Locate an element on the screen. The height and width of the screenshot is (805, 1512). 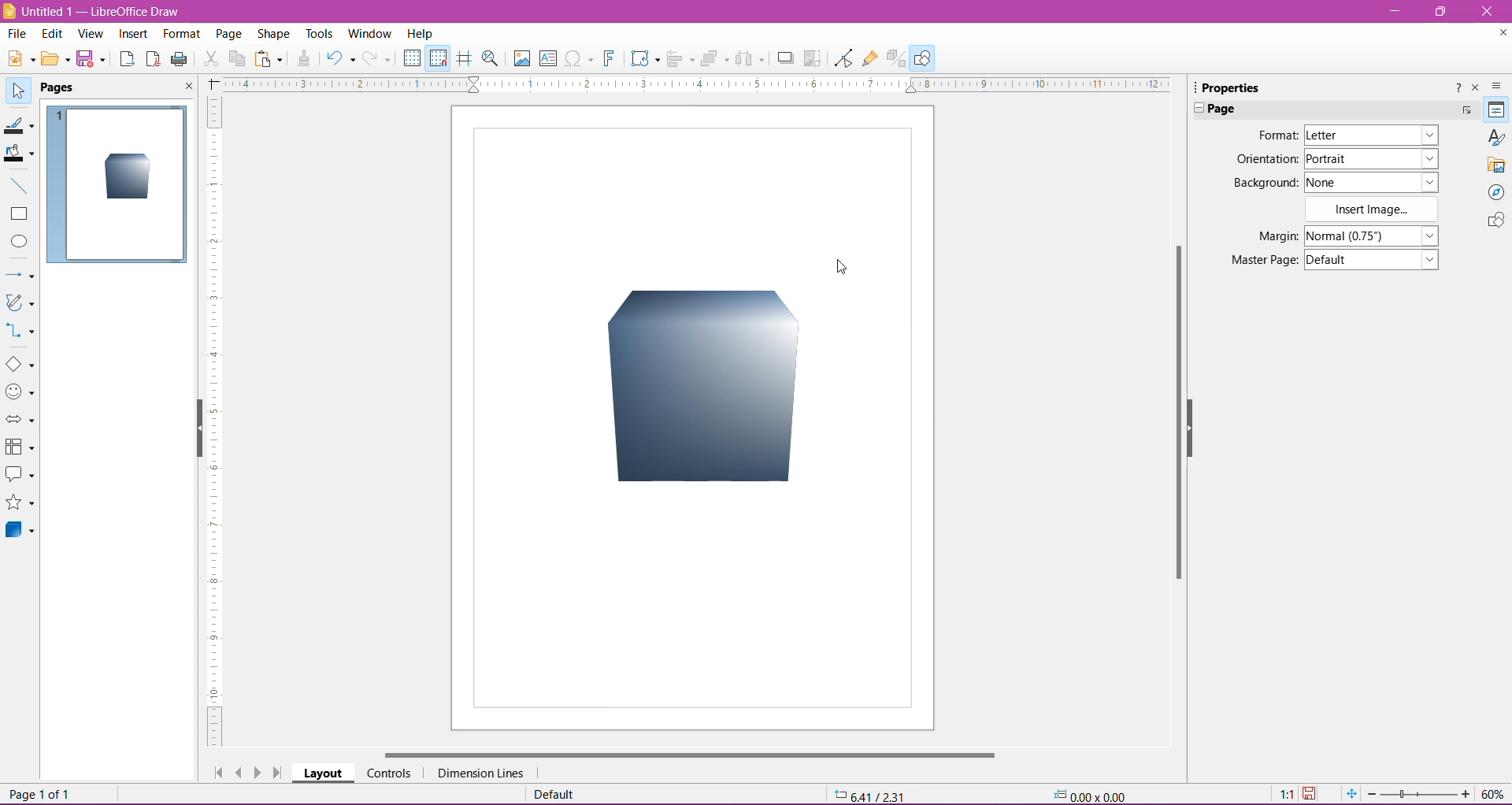
Align is located at coordinates (681, 60).